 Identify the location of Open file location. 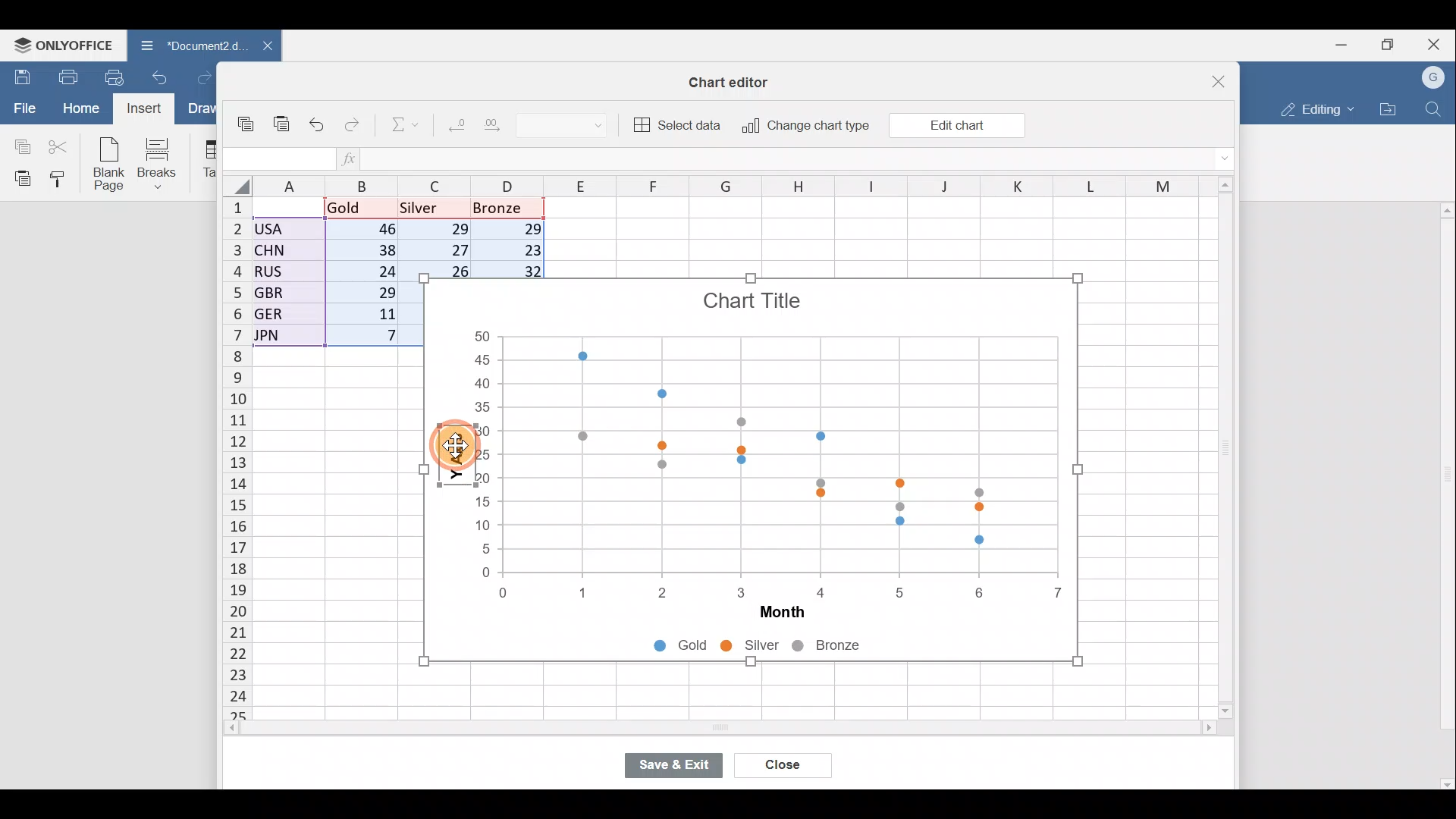
(1388, 108).